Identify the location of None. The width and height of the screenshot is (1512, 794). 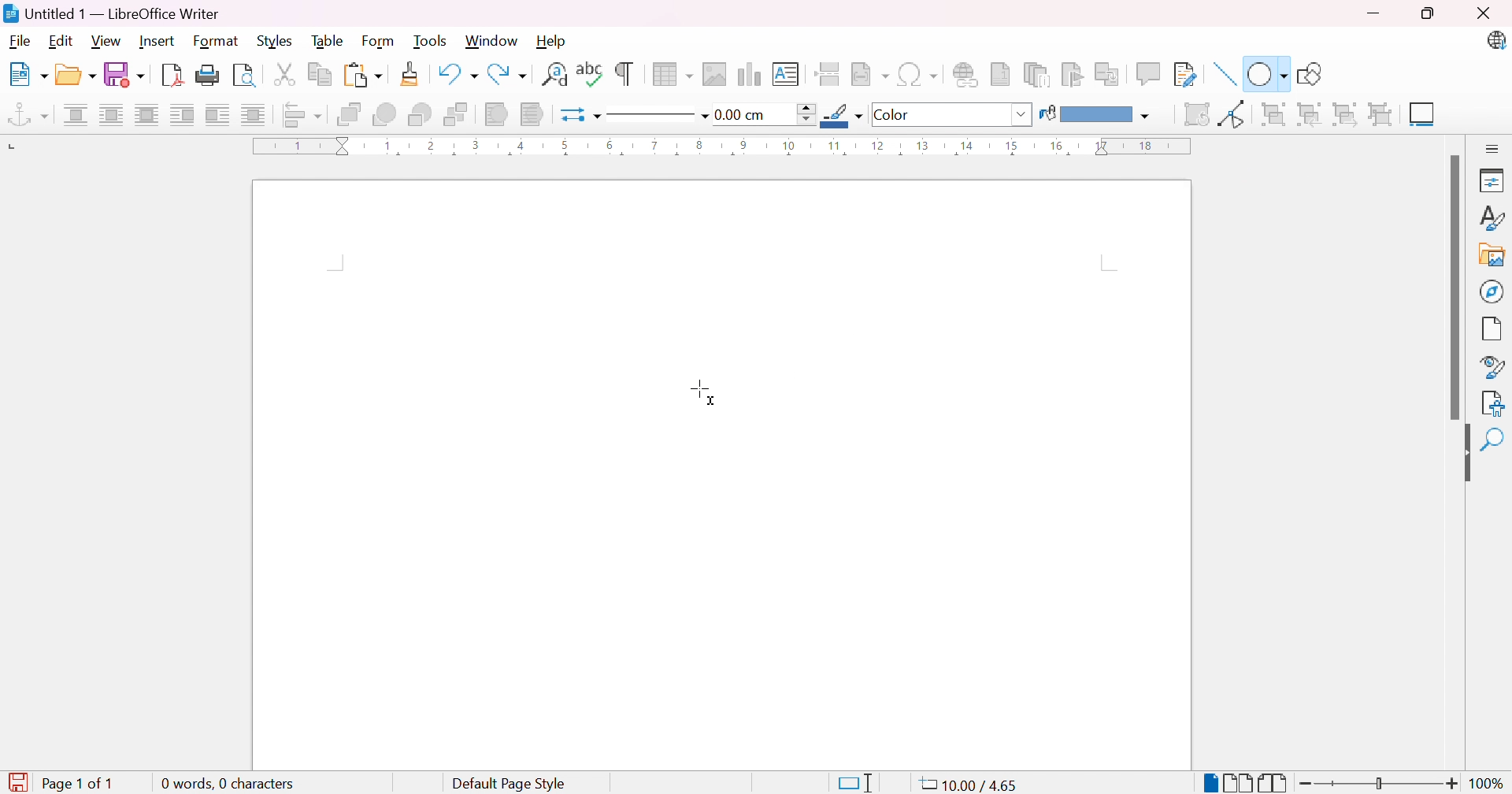
(75, 115).